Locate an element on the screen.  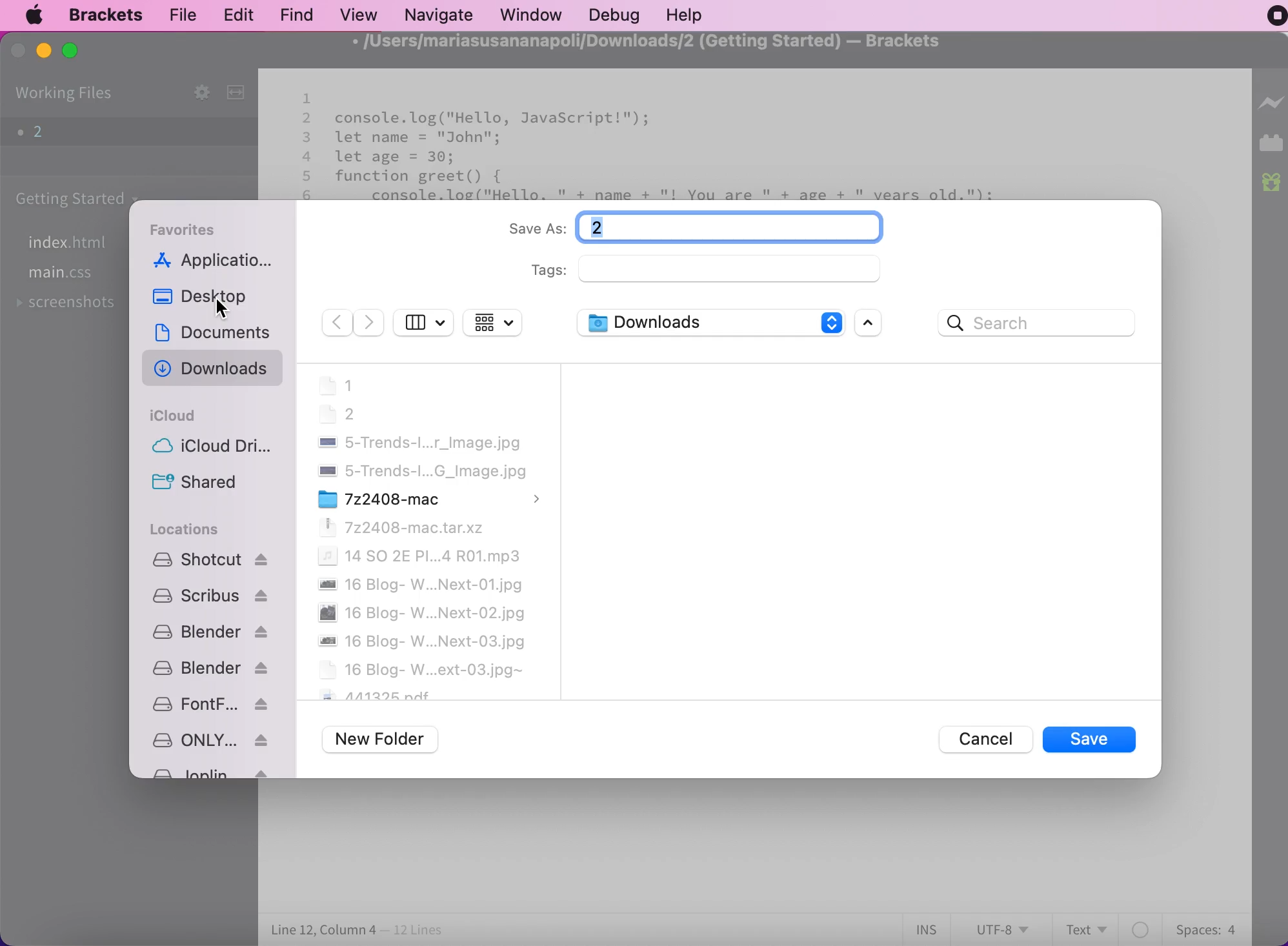
recording stopped is located at coordinates (1269, 19).